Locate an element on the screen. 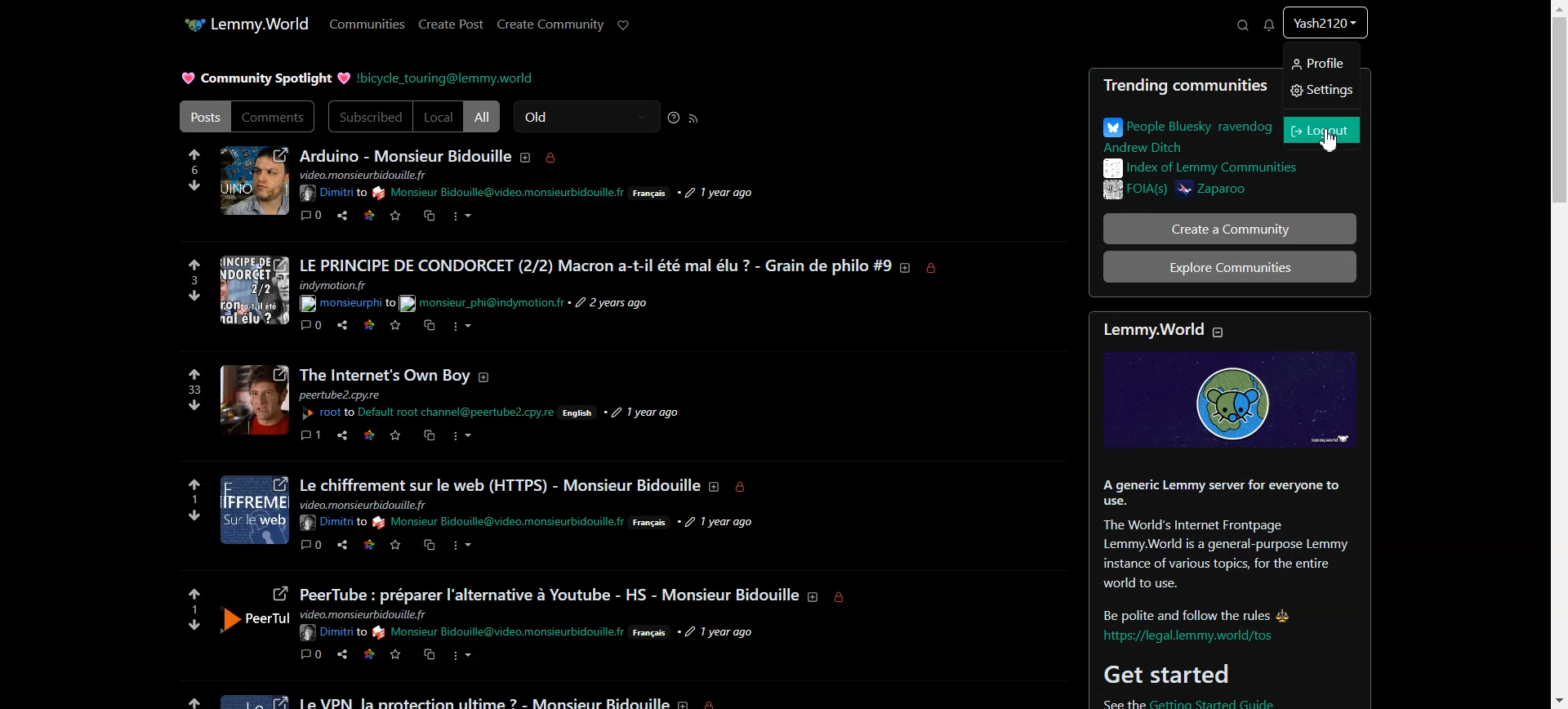  downvotes is located at coordinates (194, 407).